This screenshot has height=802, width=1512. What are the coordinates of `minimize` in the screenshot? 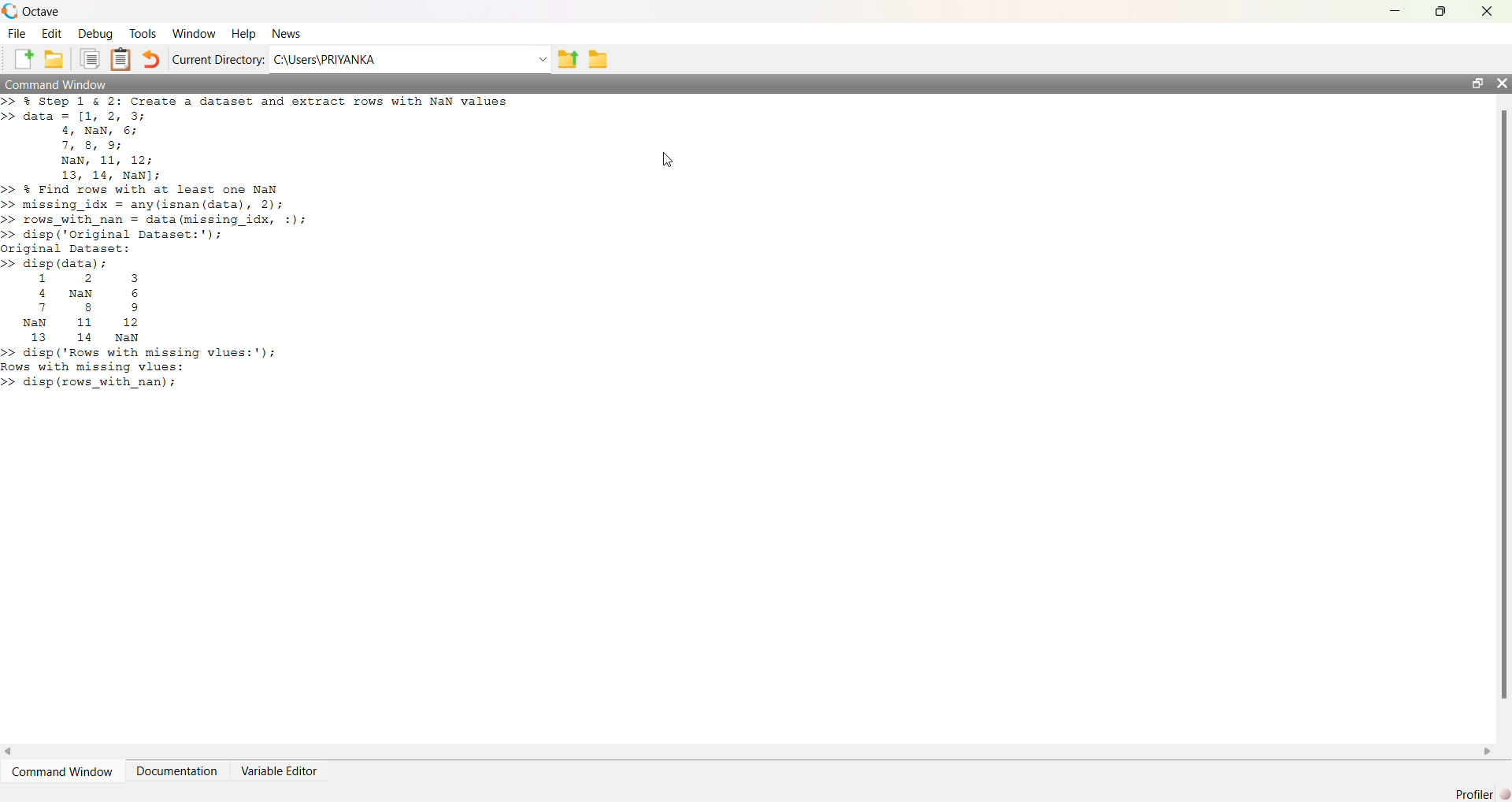 It's located at (1395, 11).